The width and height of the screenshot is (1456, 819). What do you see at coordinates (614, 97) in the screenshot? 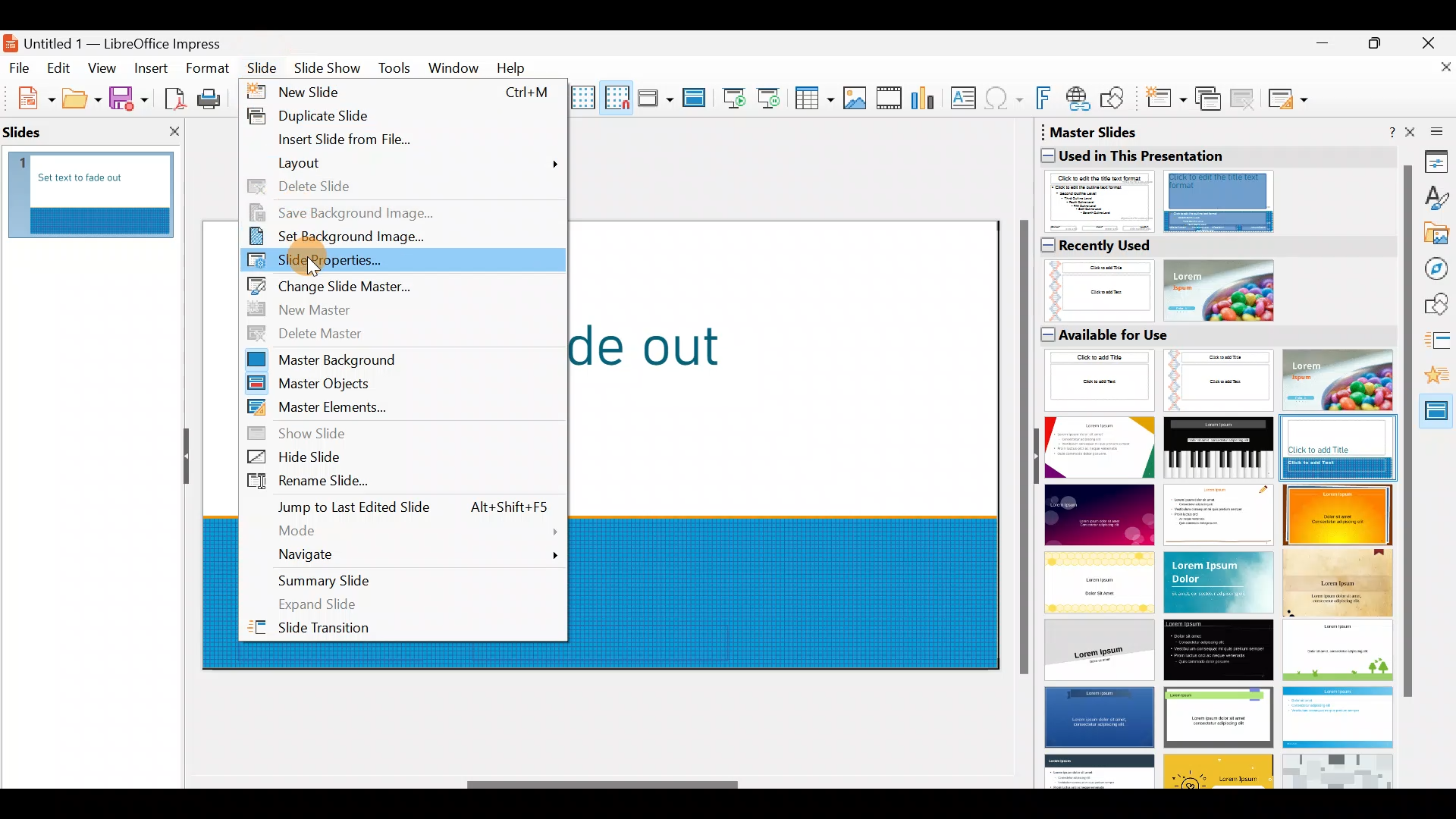
I see `Snap to grid` at bounding box center [614, 97].